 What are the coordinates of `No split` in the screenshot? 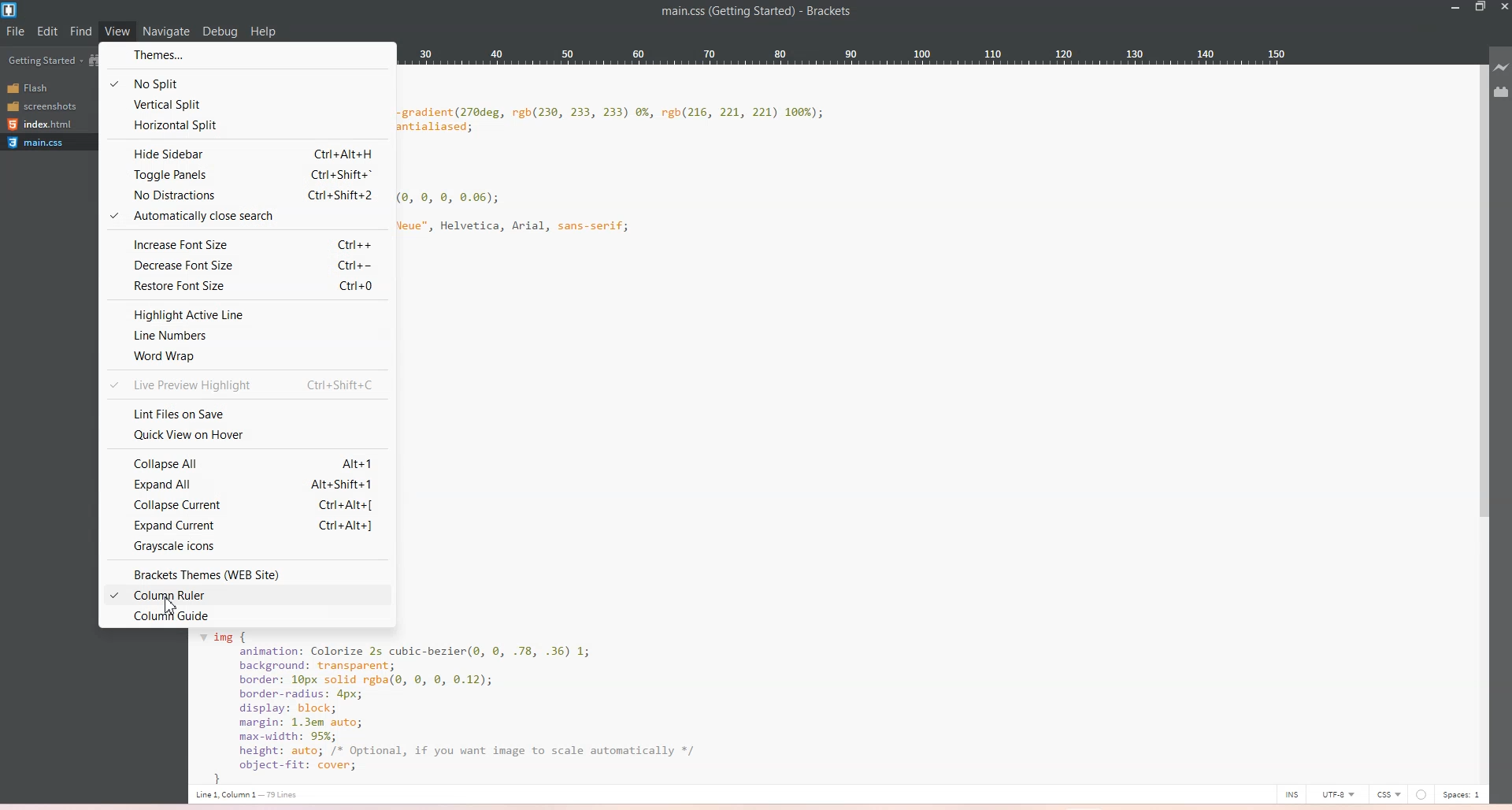 It's located at (247, 80).